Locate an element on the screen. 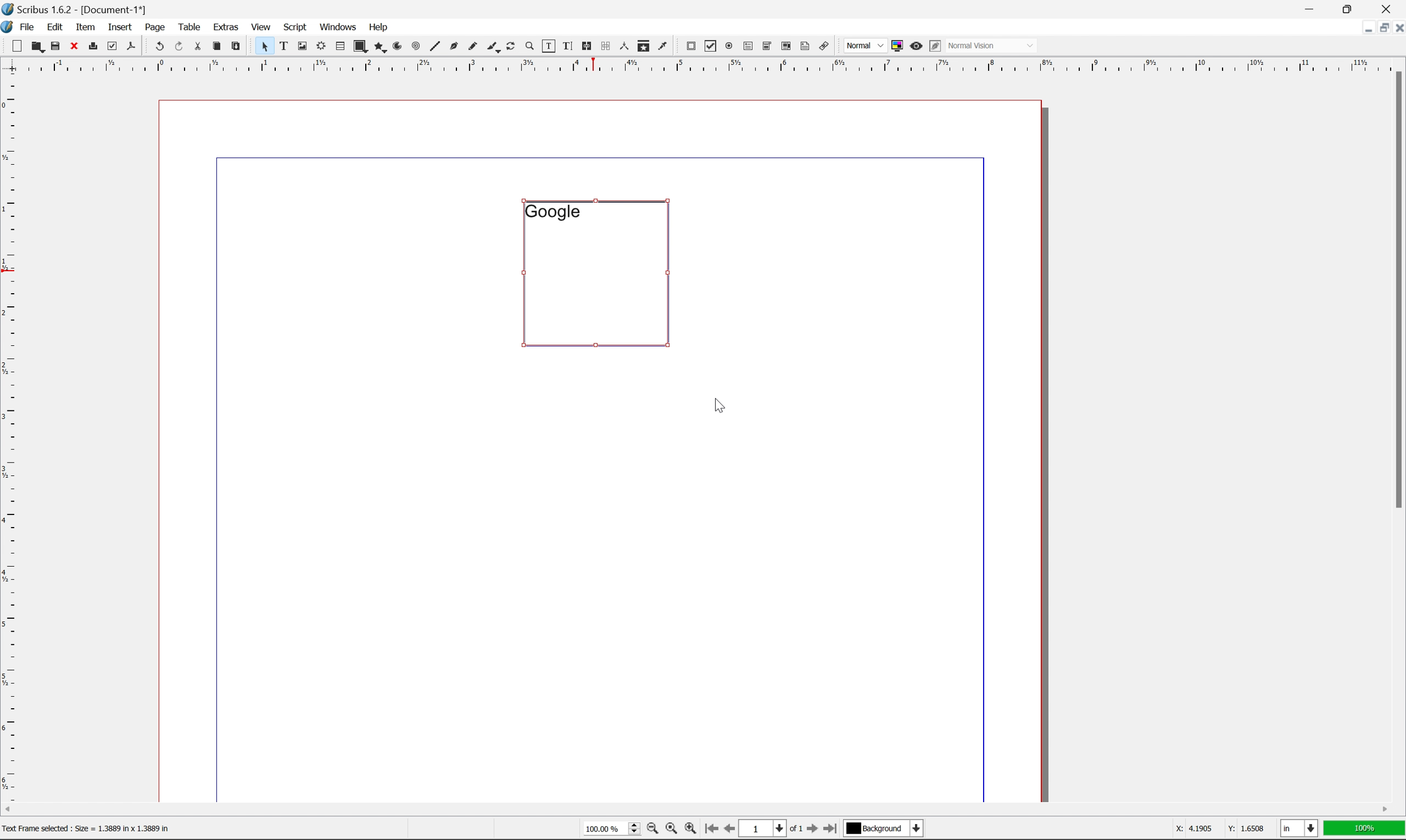 This screenshot has width=1406, height=840. measurements is located at coordinates (623, 46).